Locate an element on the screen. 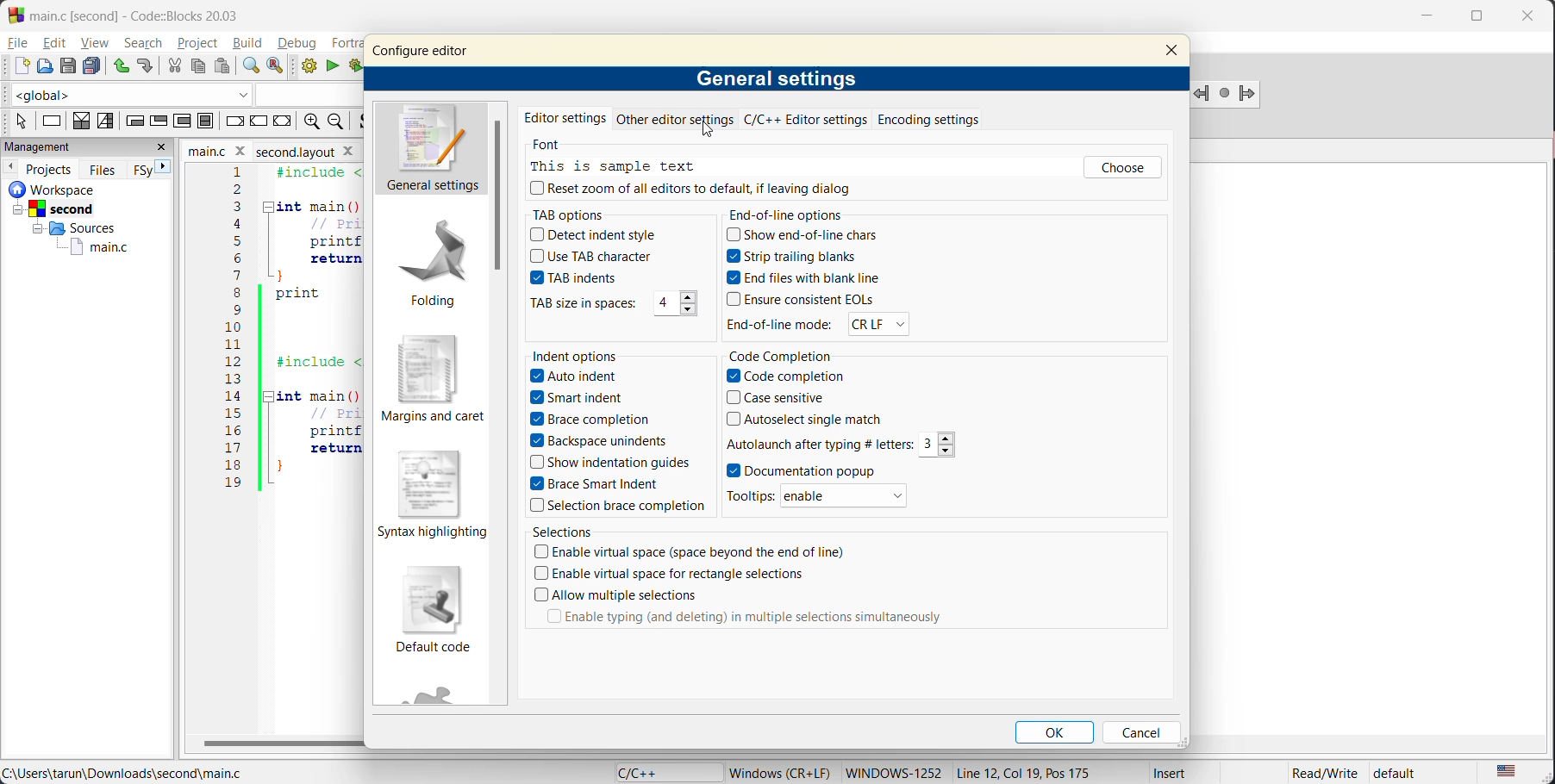  Selection brace completion is located at coordinates (621, 504).